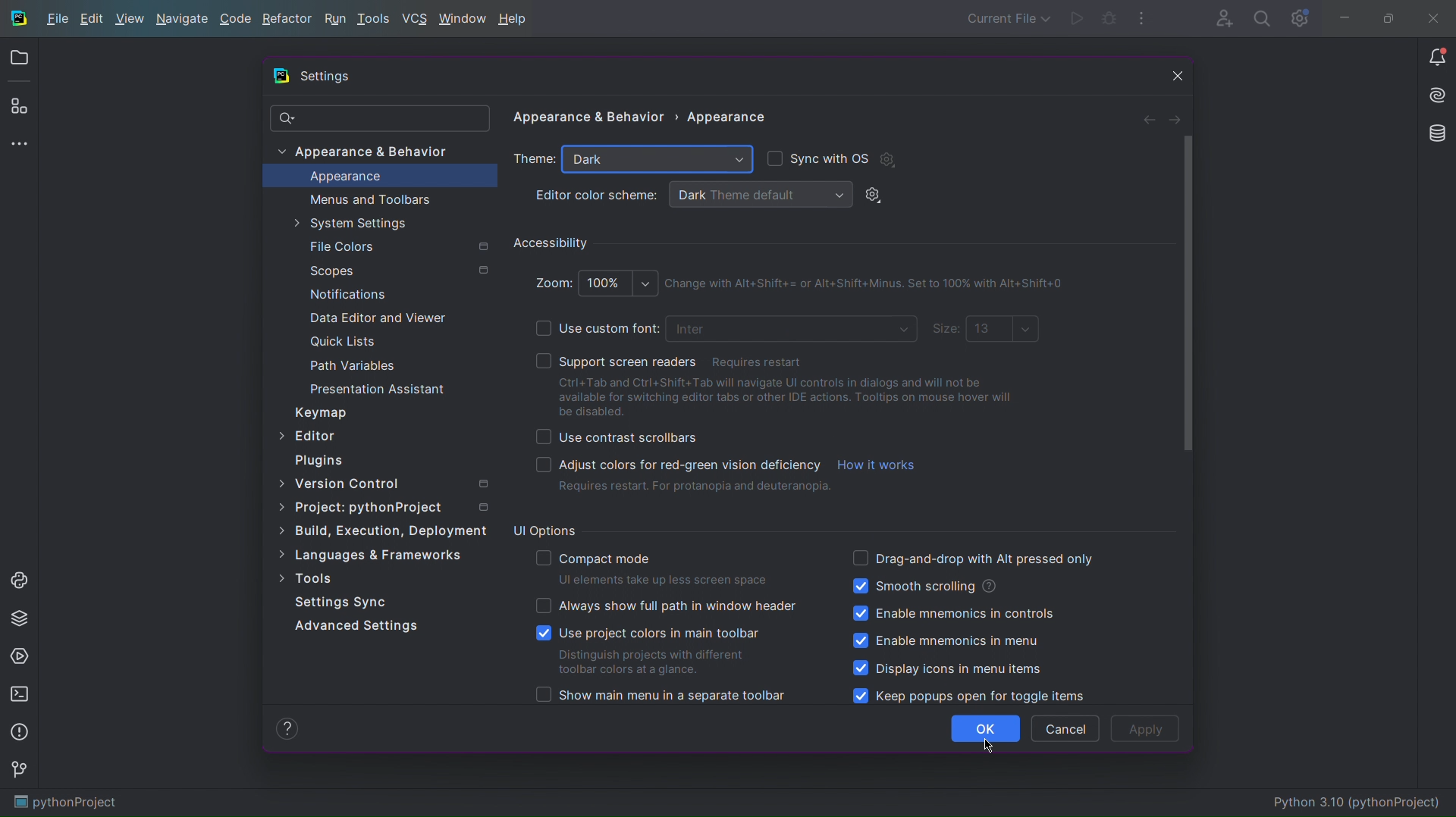 The height and width of the screenshot is (817, 1456). Describe the element at coordinates (655, 568) in the screenshot. I see `Compact mode` at that location.